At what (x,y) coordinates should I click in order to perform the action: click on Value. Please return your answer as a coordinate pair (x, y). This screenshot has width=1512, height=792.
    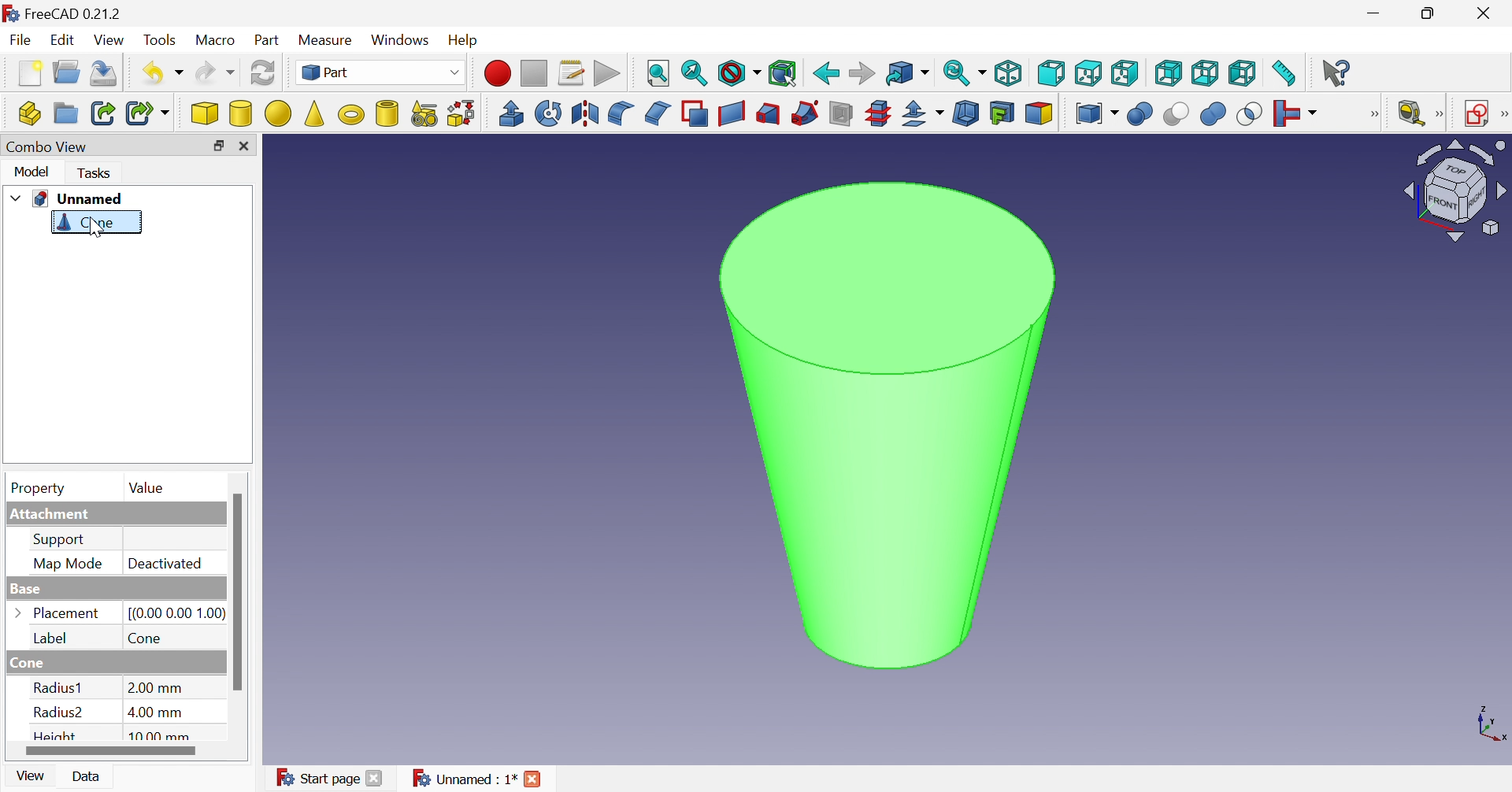
    Looking at the image, I should click on (154, 490).